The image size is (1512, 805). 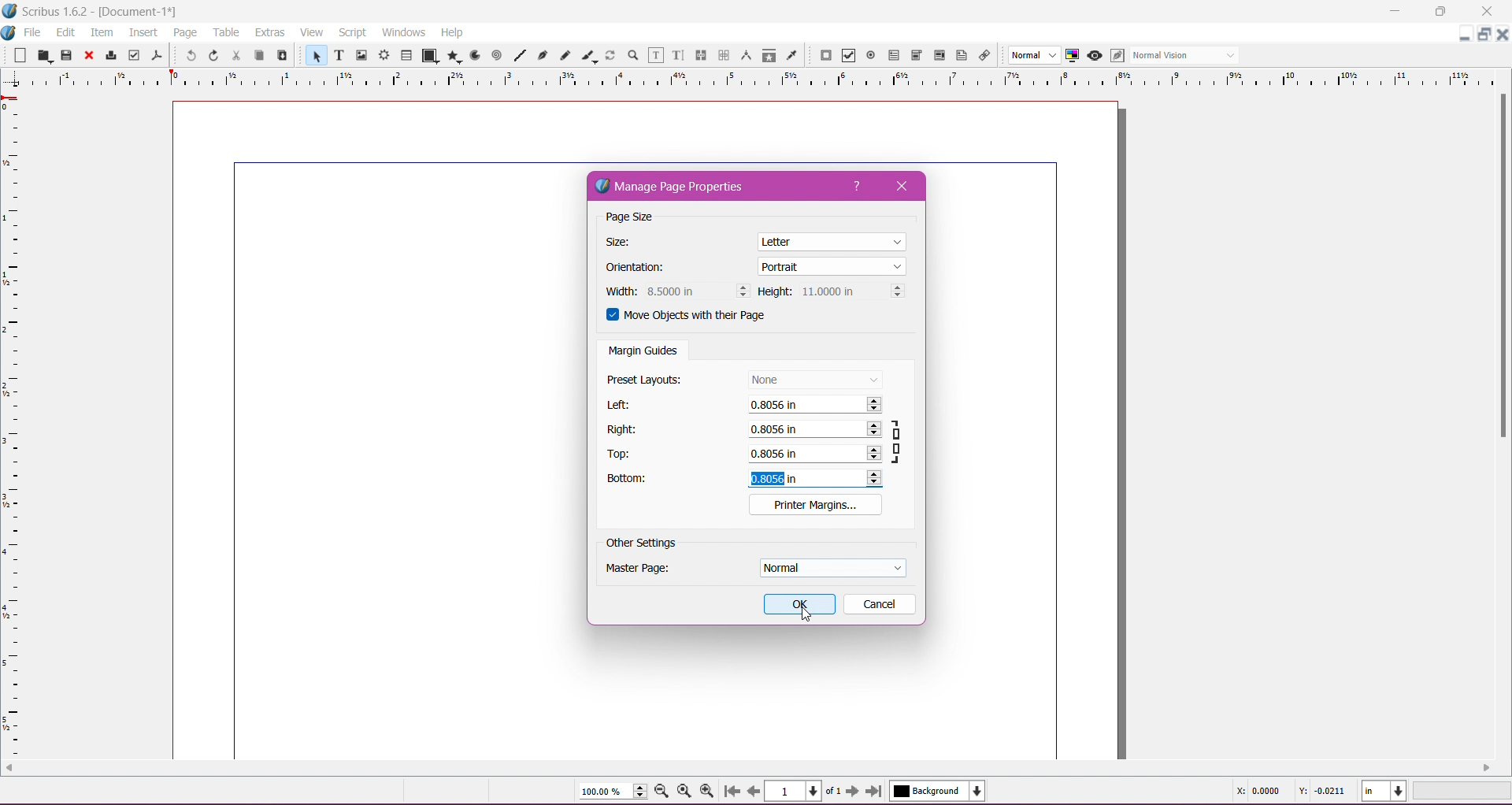 I want to click on Cursor, so click(x=801, y=612).